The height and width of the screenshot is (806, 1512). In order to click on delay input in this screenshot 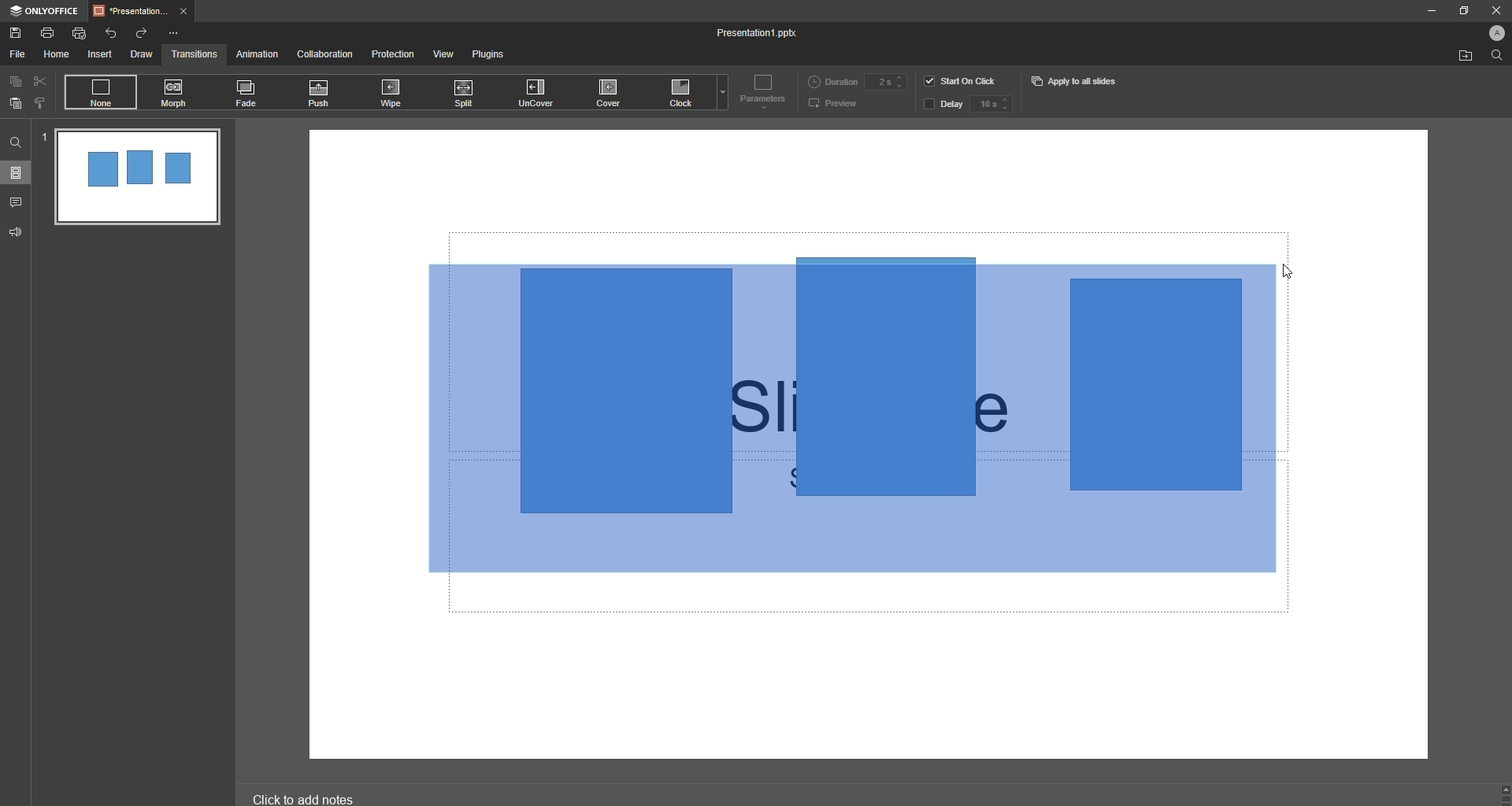, I will do `click(991, 104)`.